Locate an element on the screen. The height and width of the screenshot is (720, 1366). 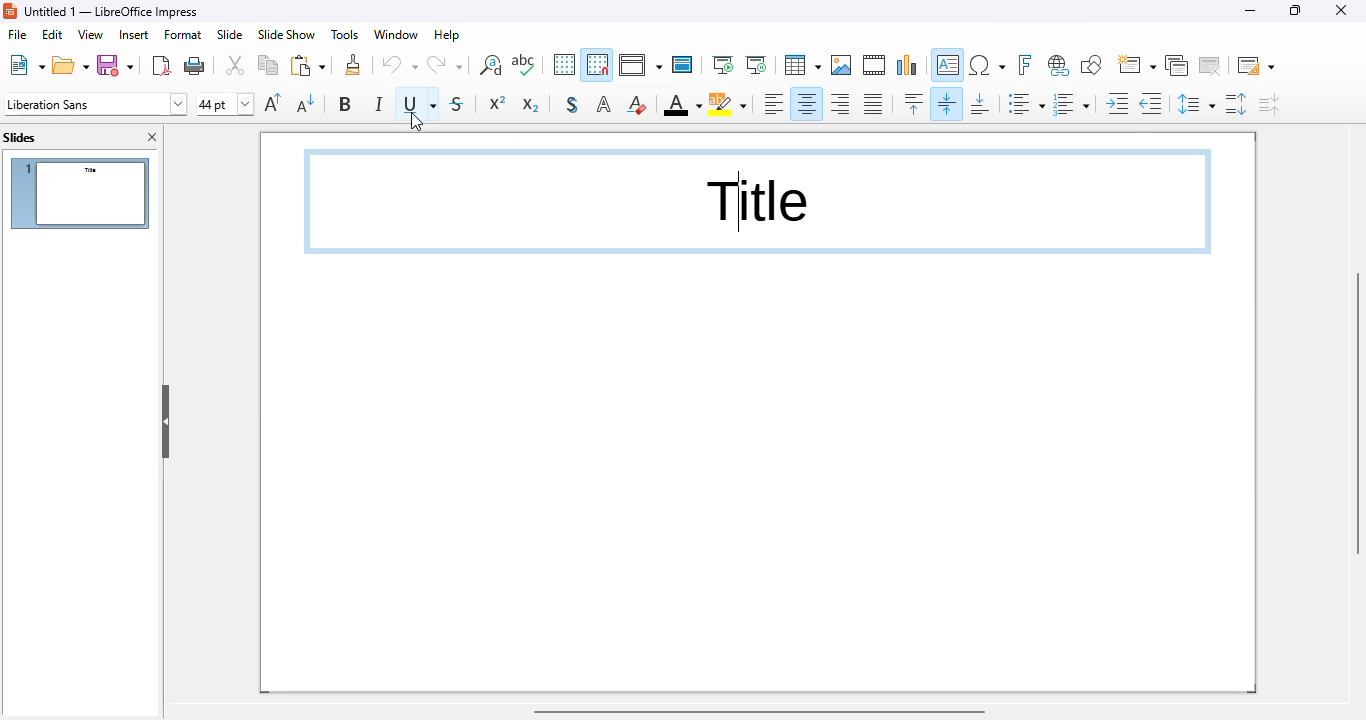
decrease font size is located at coordinates (306, 102).